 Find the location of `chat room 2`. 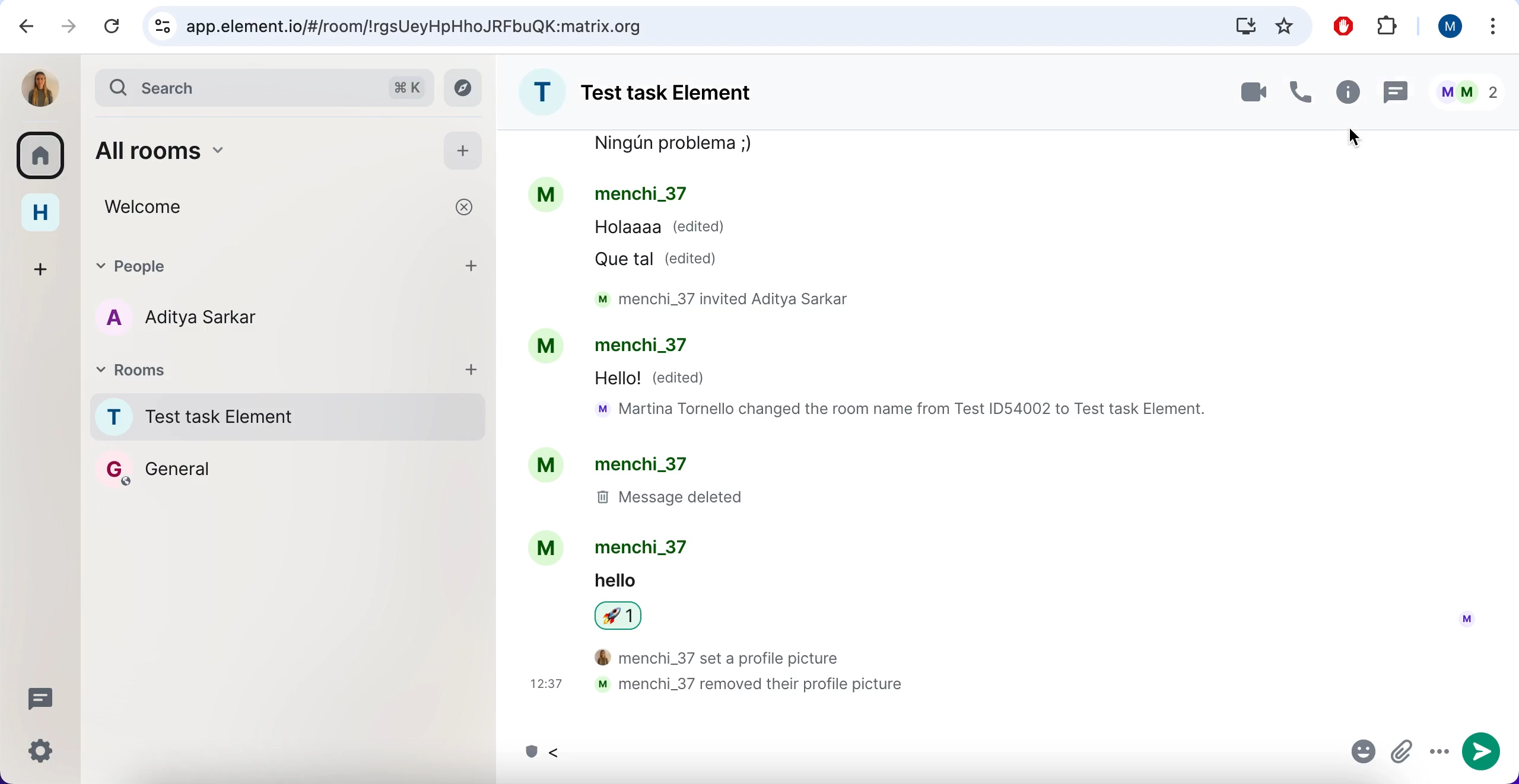

chat room 2 is located at coordinates (224, 473).